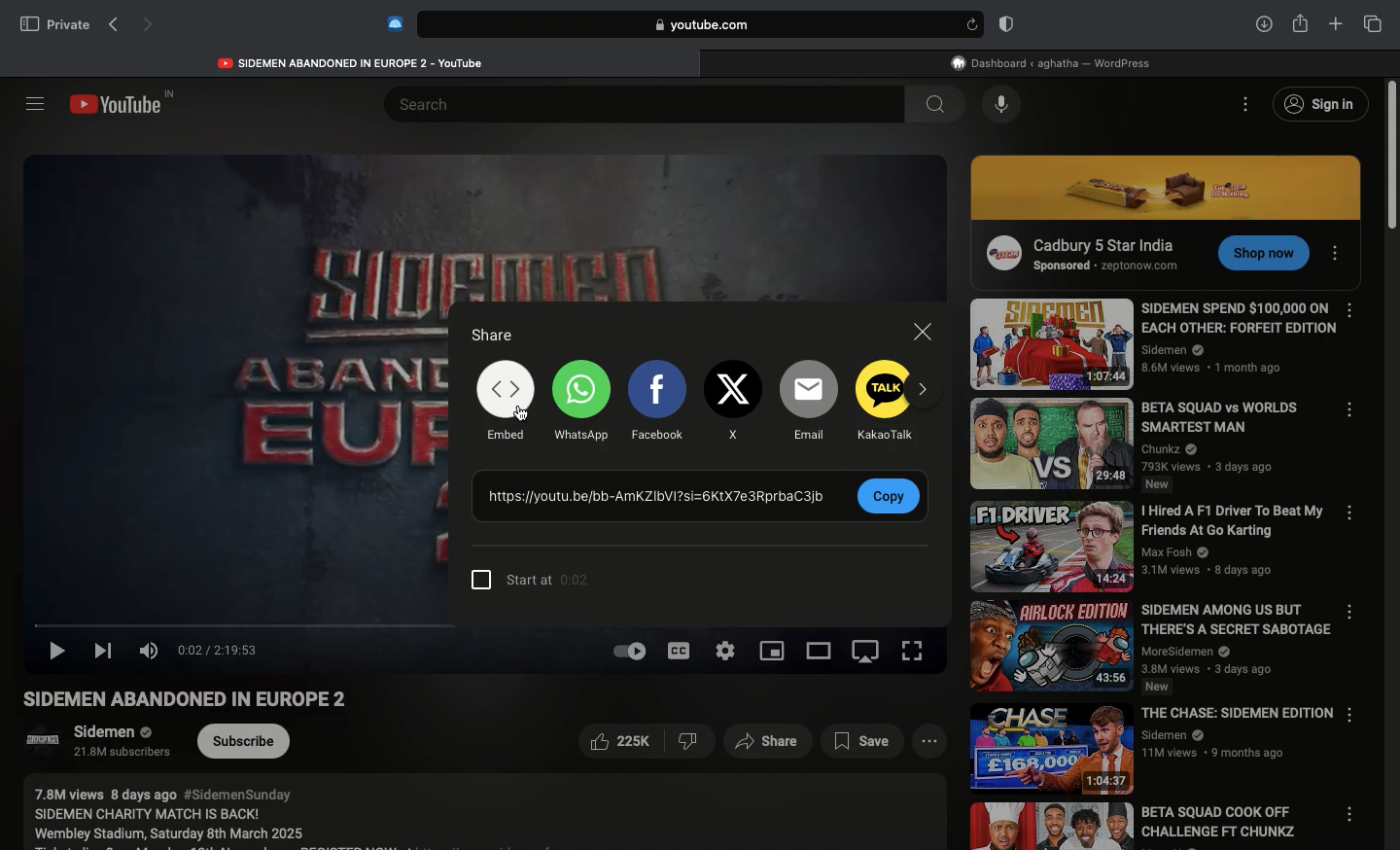 The image size is (1400, 850). Describe the element at coordinates (235, 389) in the screenshot. I see `Videos` at that location.